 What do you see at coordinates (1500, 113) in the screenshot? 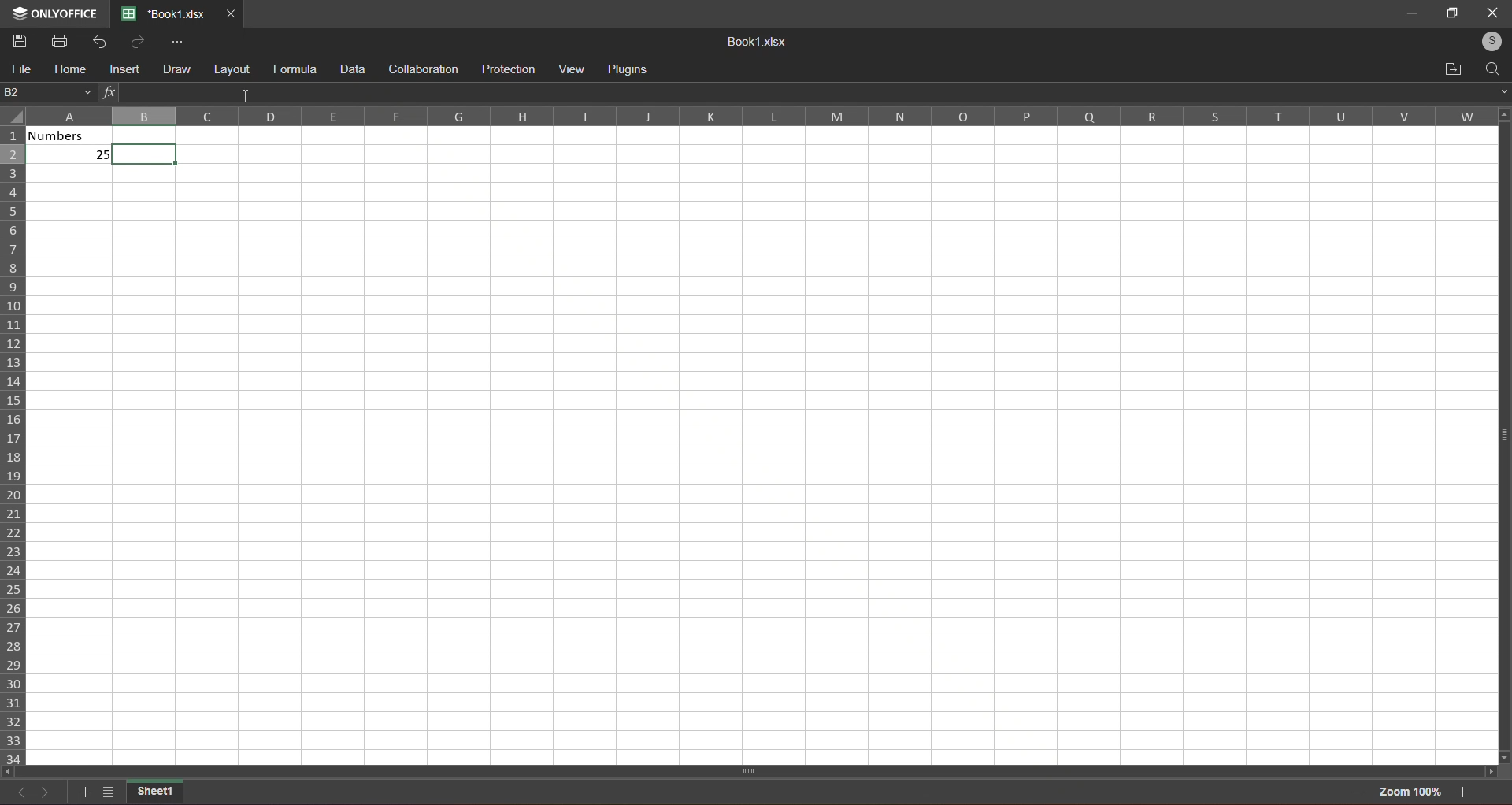
I see `scroll up` at bounding box center [1500, 113].